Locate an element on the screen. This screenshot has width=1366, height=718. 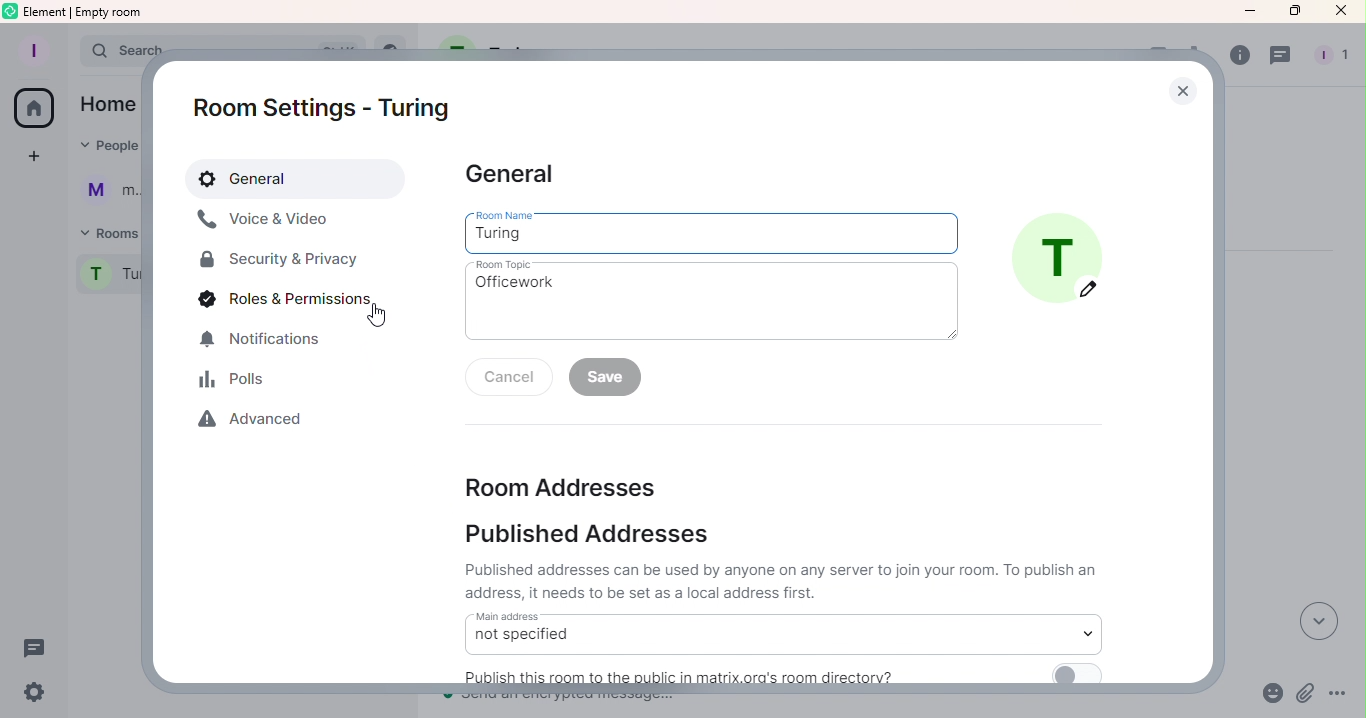
Close is located at coordinates (1181, 87).